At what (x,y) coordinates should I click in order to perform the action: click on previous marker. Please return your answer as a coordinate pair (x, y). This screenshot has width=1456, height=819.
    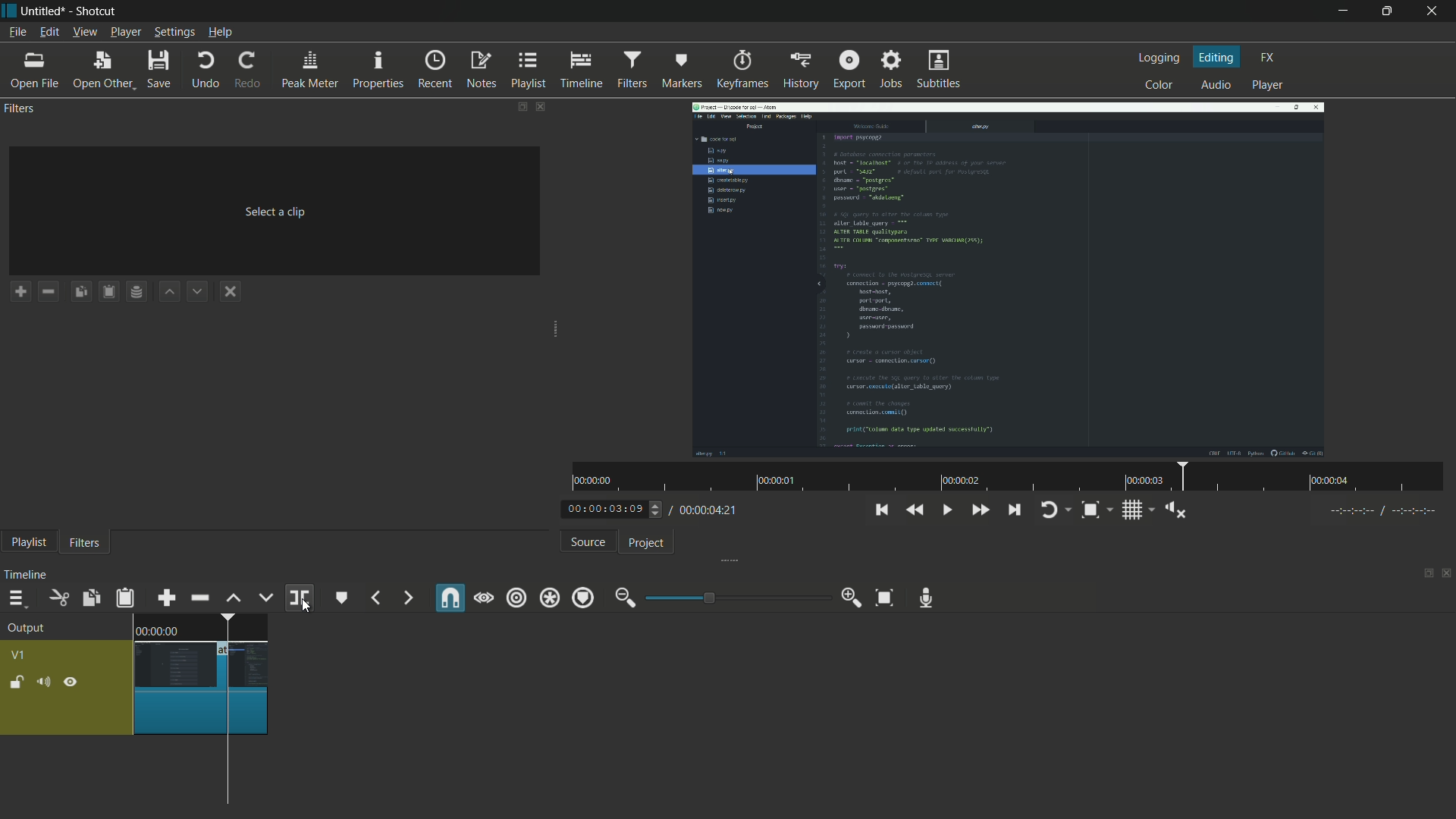
    Looking at the image, I should click on (375, 598).